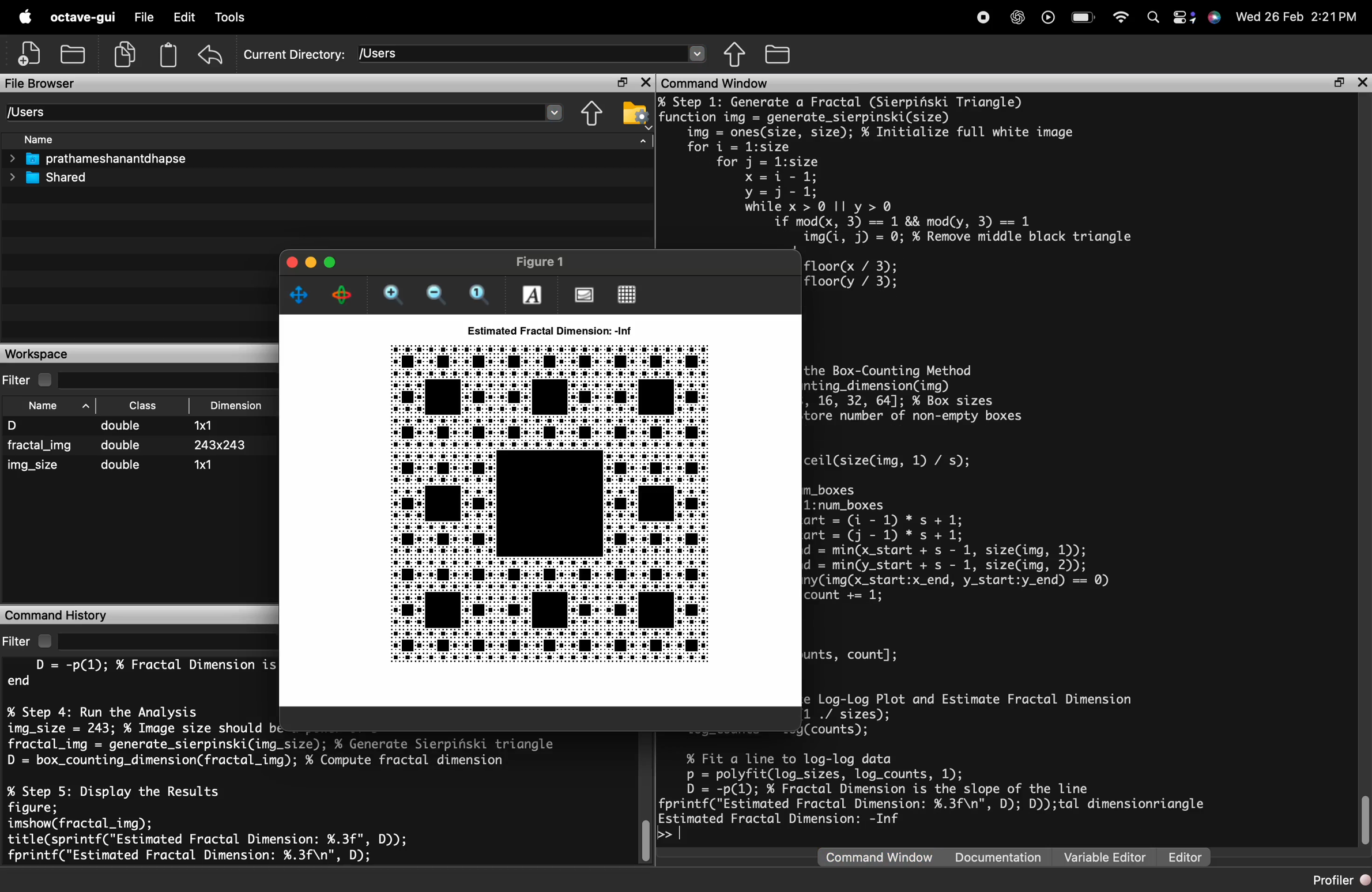 The height and width of the screenshot is (892, 1372). Describe the element at coordinates (95, 157) in the screenshot. I see `prathameshanantdhapse` at that location.